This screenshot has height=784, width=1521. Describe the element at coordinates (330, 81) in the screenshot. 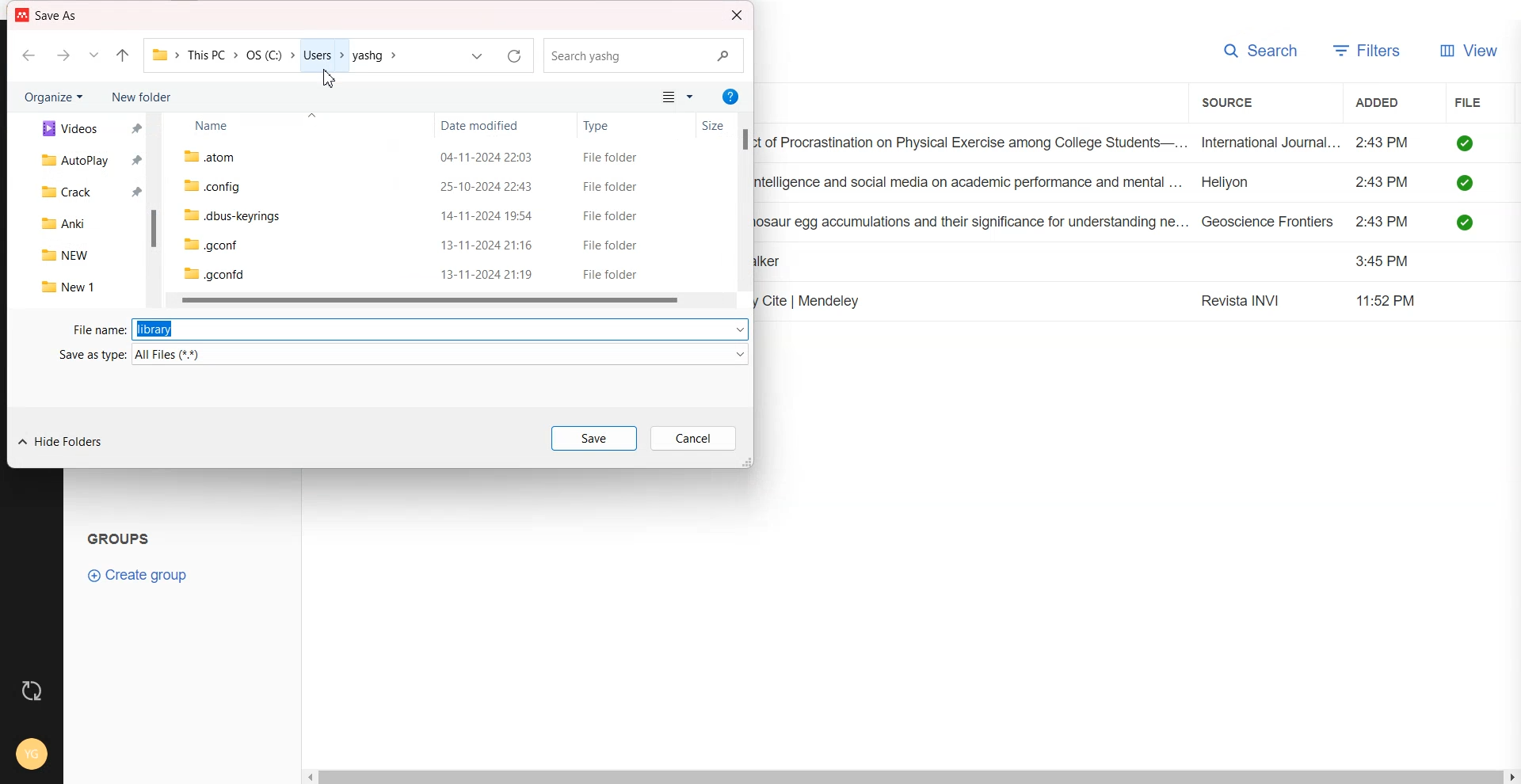

I see `Cursor` at that location.